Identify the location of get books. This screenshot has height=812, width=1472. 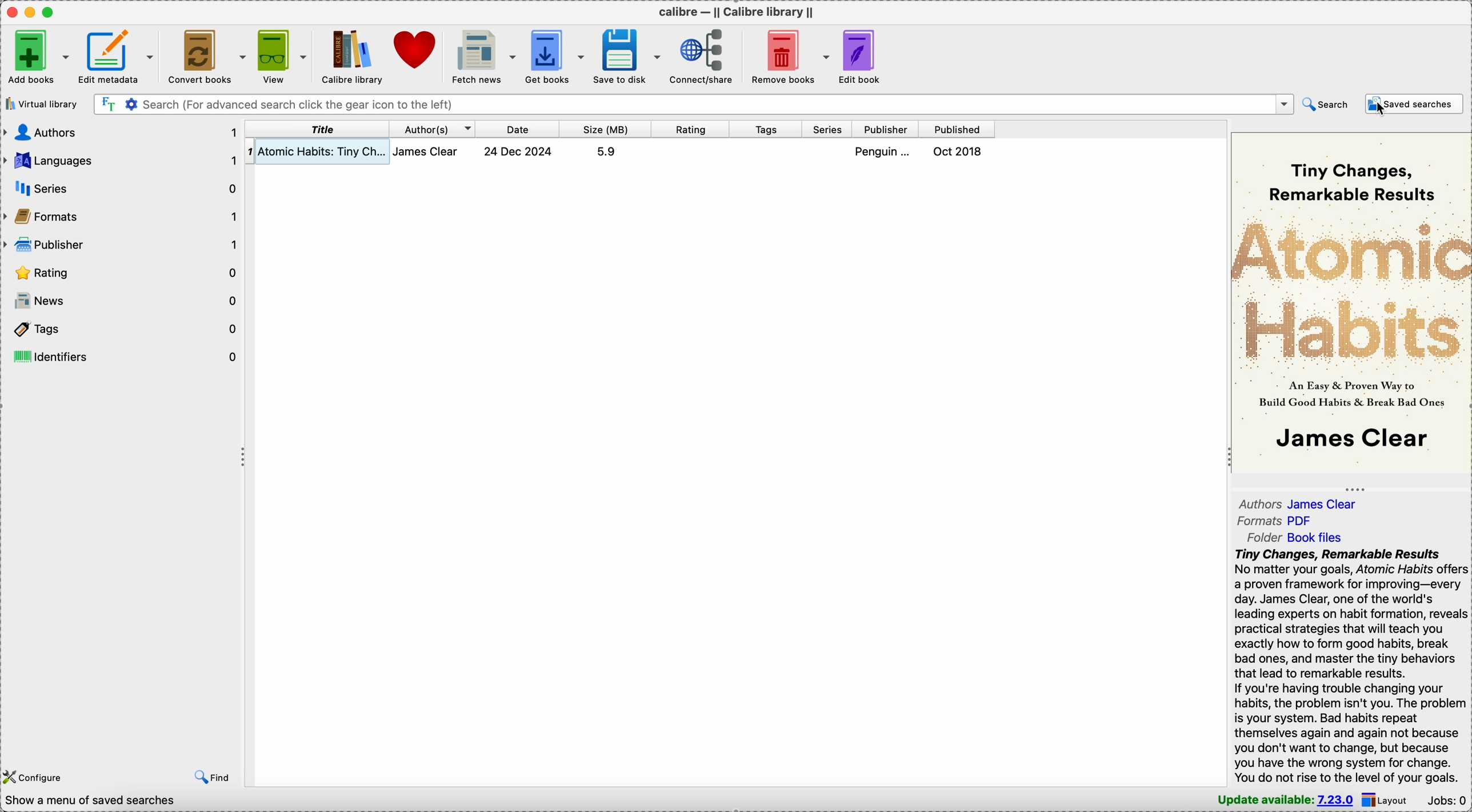
(557, 55).